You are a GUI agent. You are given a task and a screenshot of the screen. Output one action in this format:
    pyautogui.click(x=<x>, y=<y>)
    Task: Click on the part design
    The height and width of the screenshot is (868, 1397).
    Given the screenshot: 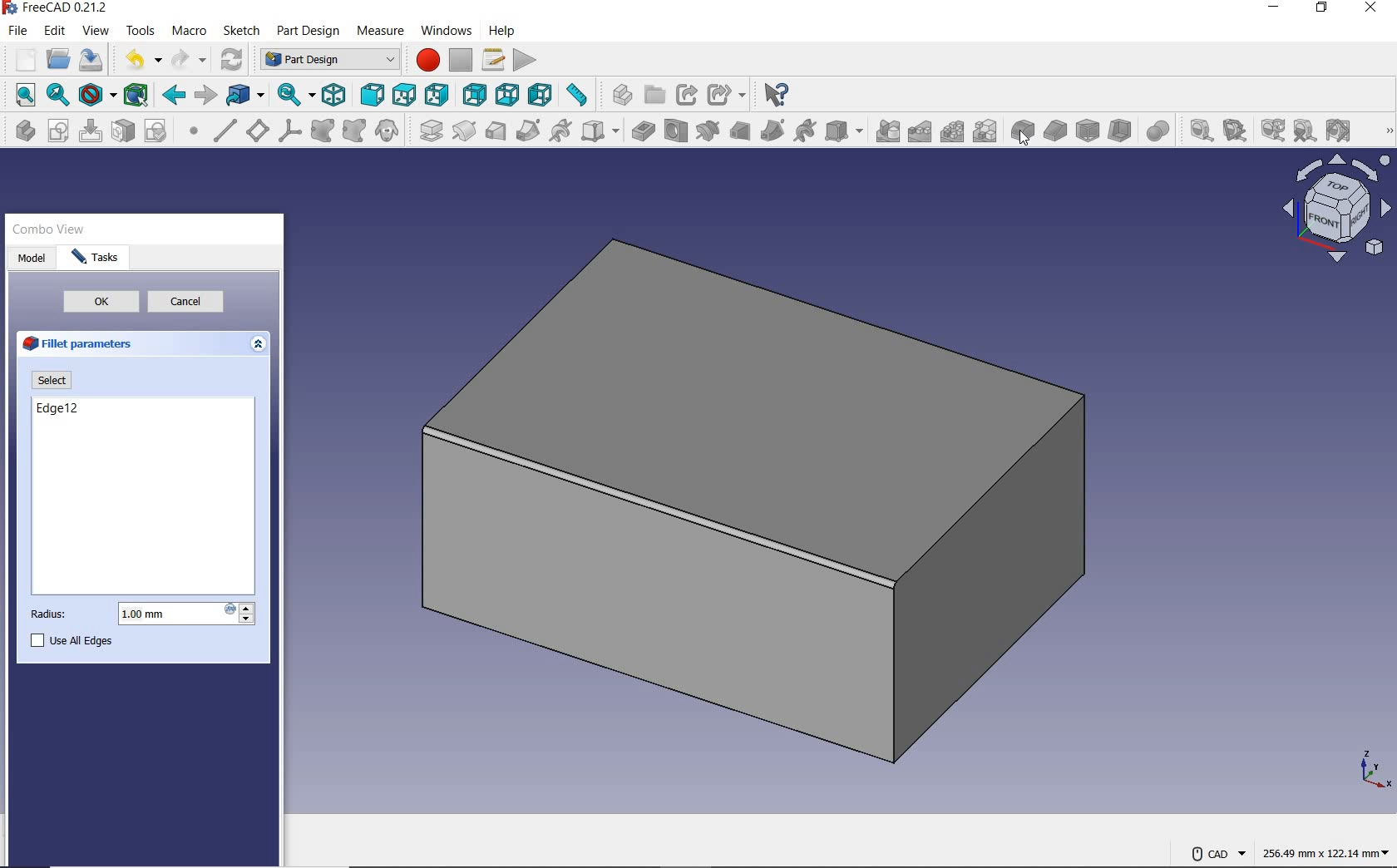 What is the action you would take?
    pyautogui.click(x=309, y=32)
    